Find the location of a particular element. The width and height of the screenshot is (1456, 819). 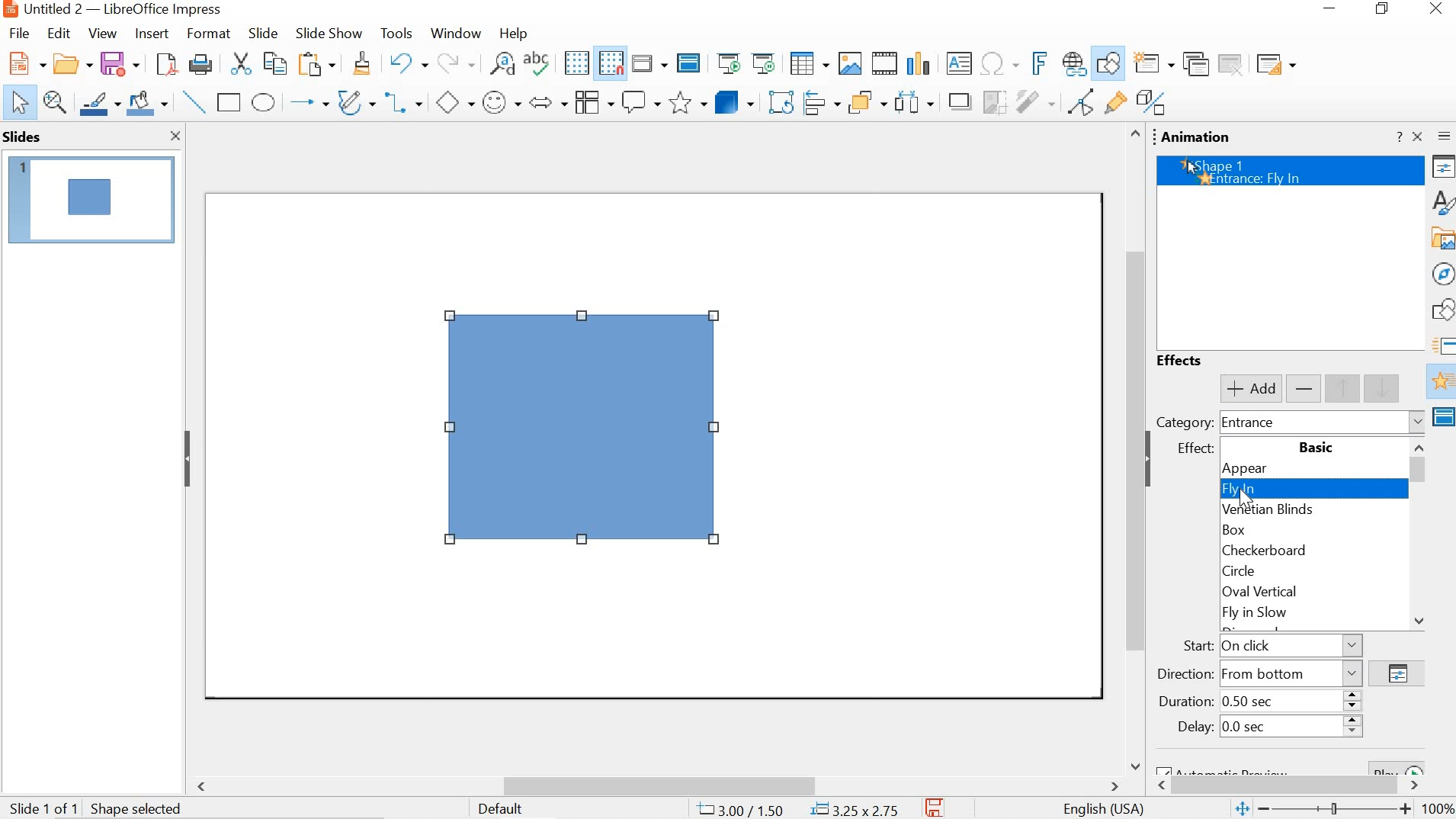

slide 1 of 1 is located at coordinates (97, 806).